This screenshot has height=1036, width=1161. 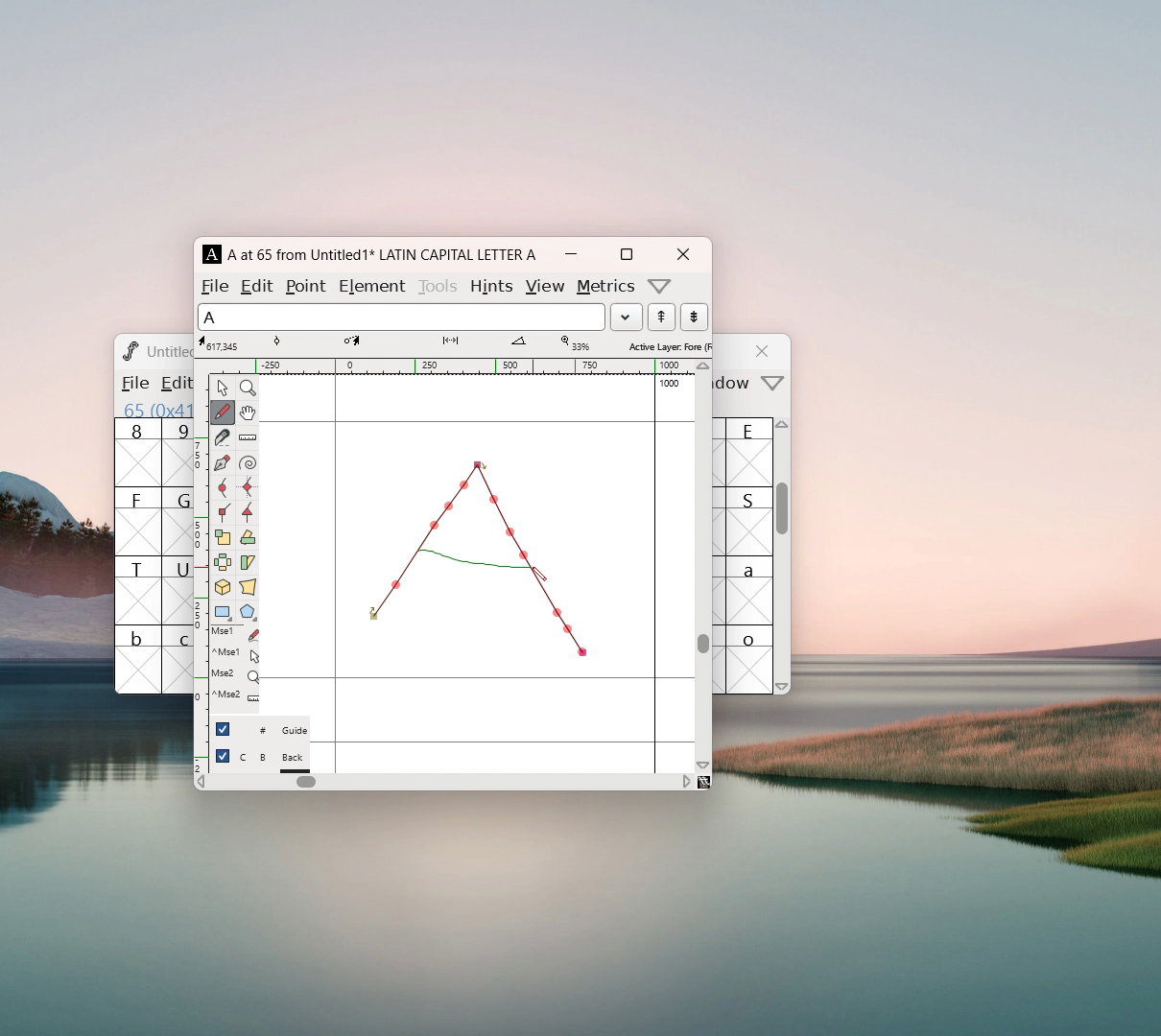 I want to click on , so click(x=173, y=385).